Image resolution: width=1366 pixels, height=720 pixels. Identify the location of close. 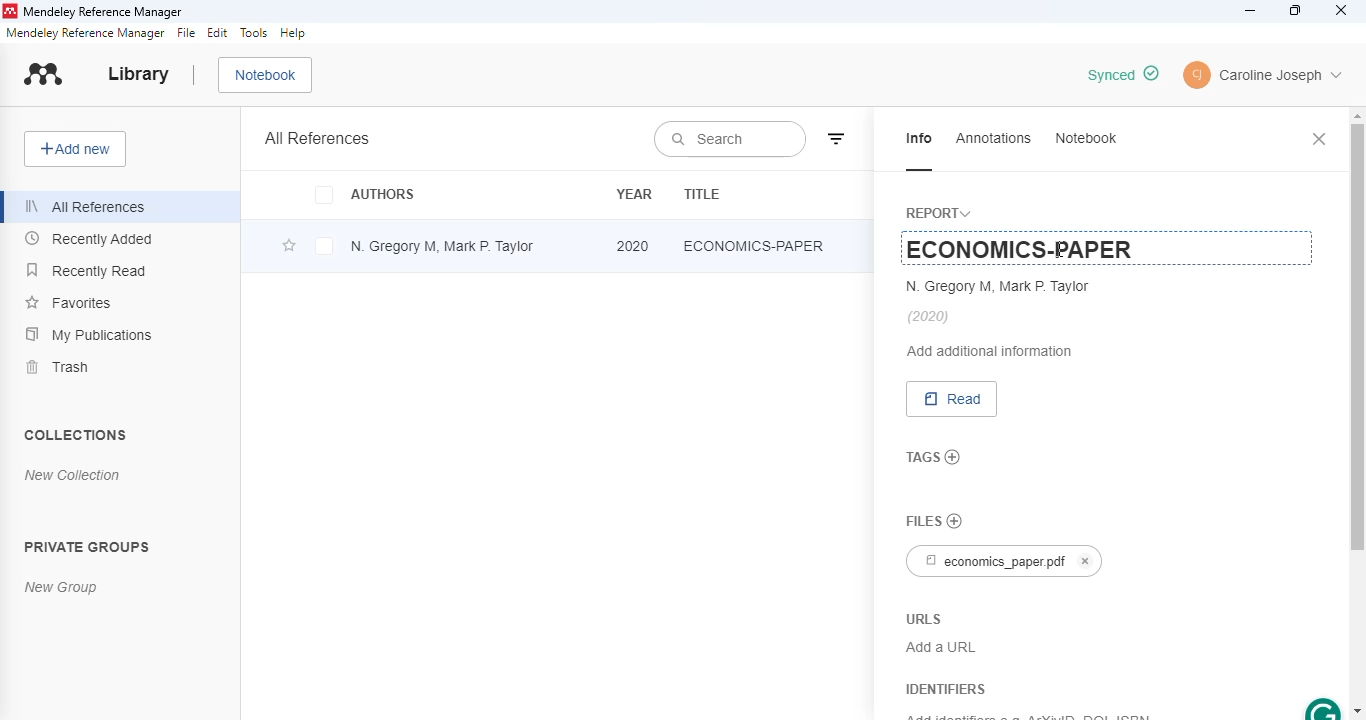
(1341, 10).